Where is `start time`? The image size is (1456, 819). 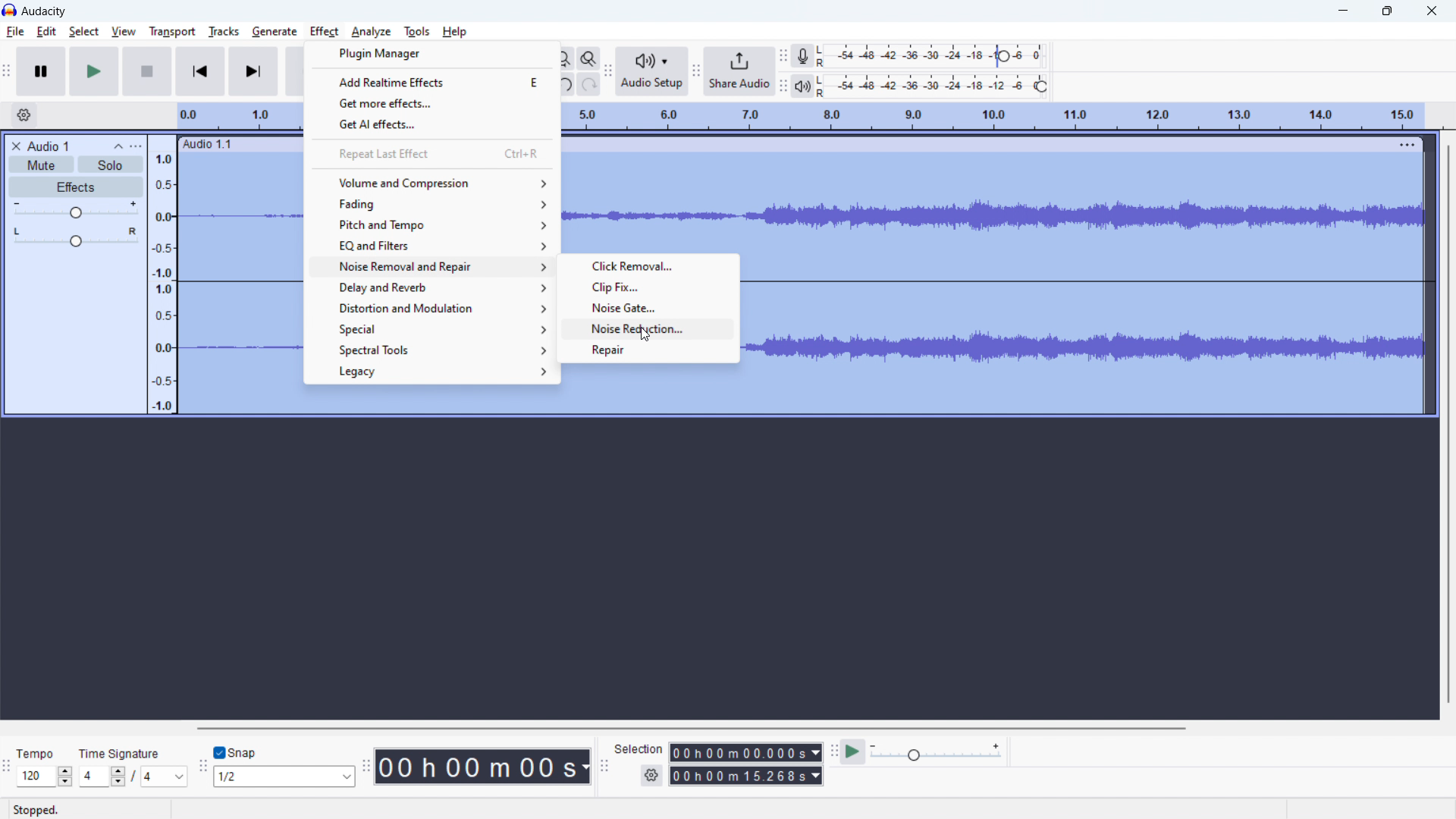 start time is located at coordinates (746, 752).